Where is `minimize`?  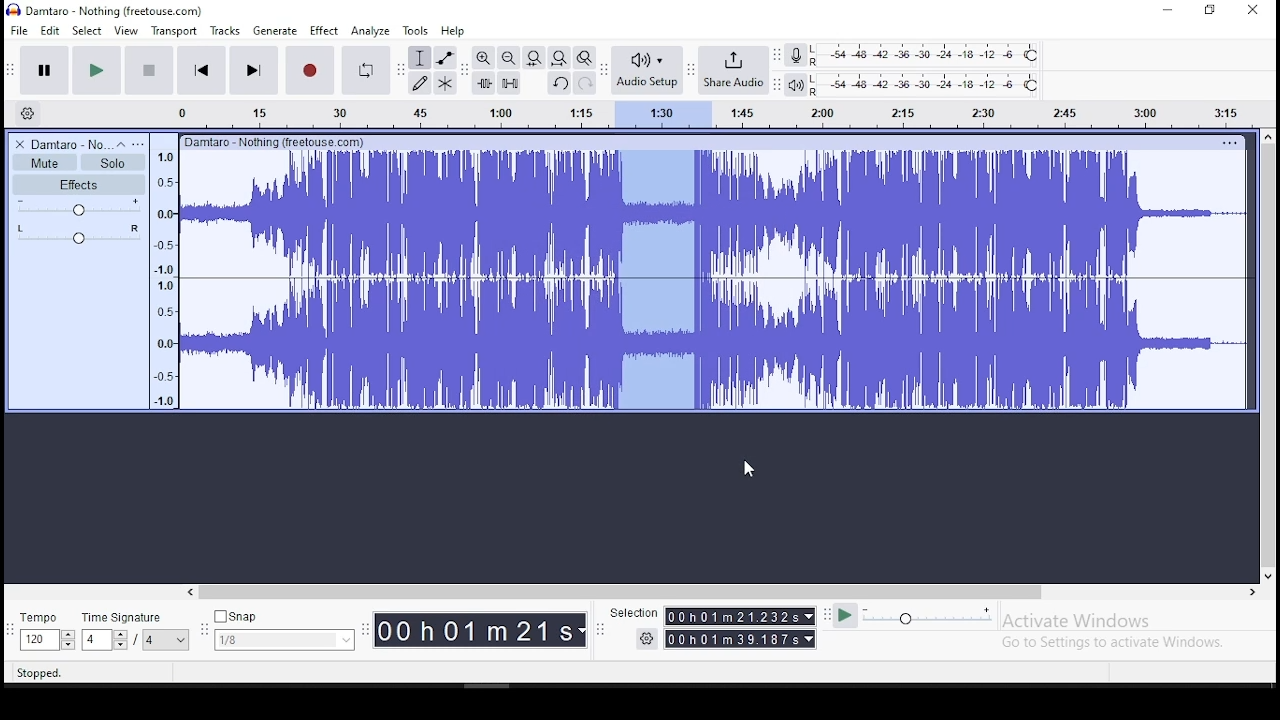 minimize is located at coordinates (1169, 11).